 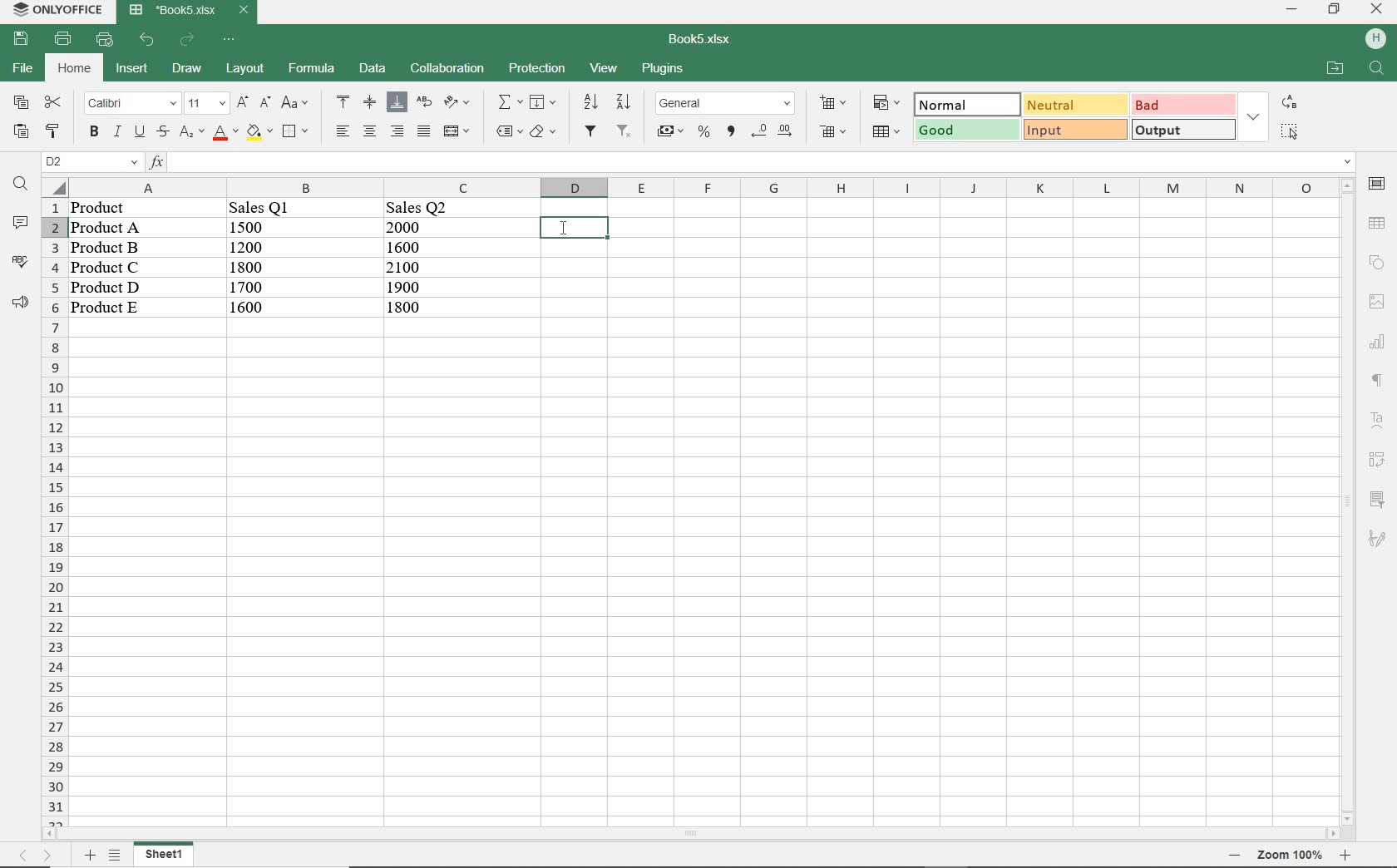 What do you see at coordinates (575, 228) in the screenshot?
I see `selected cell` at bounding box center [575, 228].